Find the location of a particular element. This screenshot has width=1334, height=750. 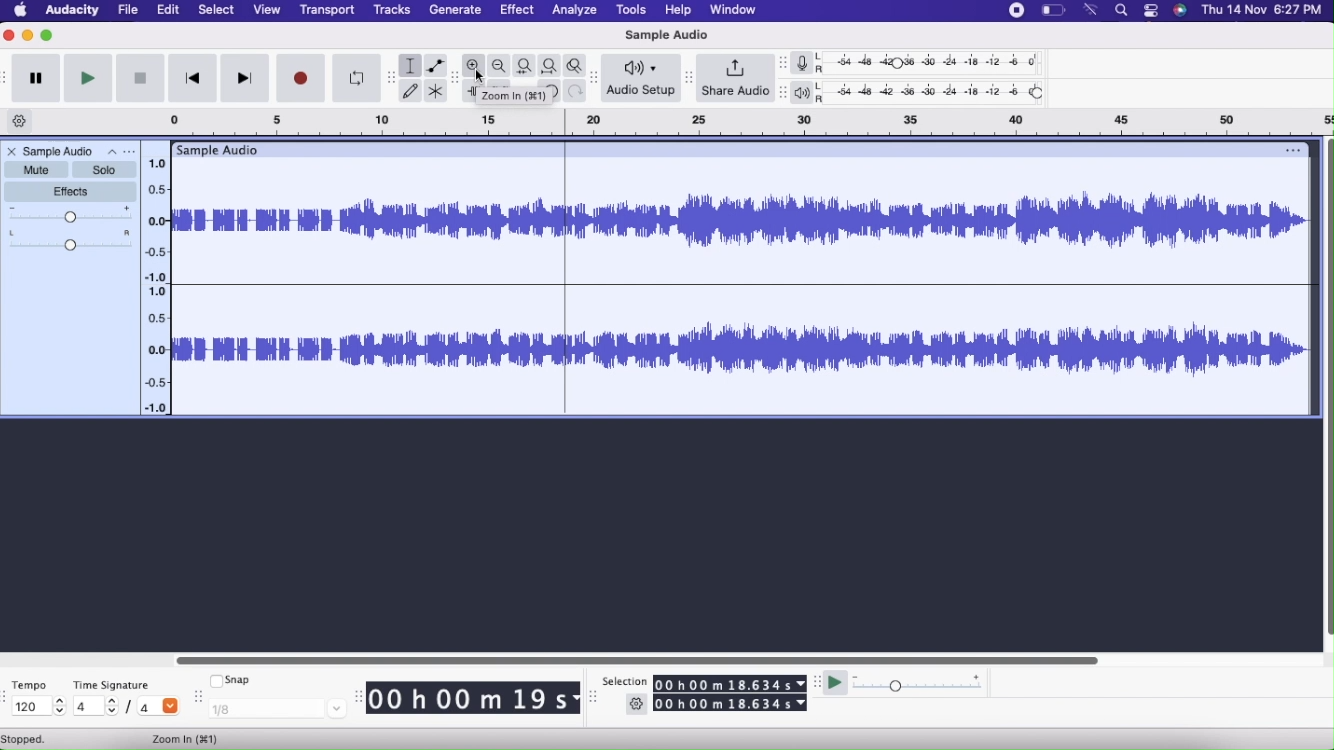

Close is located at coordinates (10, 151).